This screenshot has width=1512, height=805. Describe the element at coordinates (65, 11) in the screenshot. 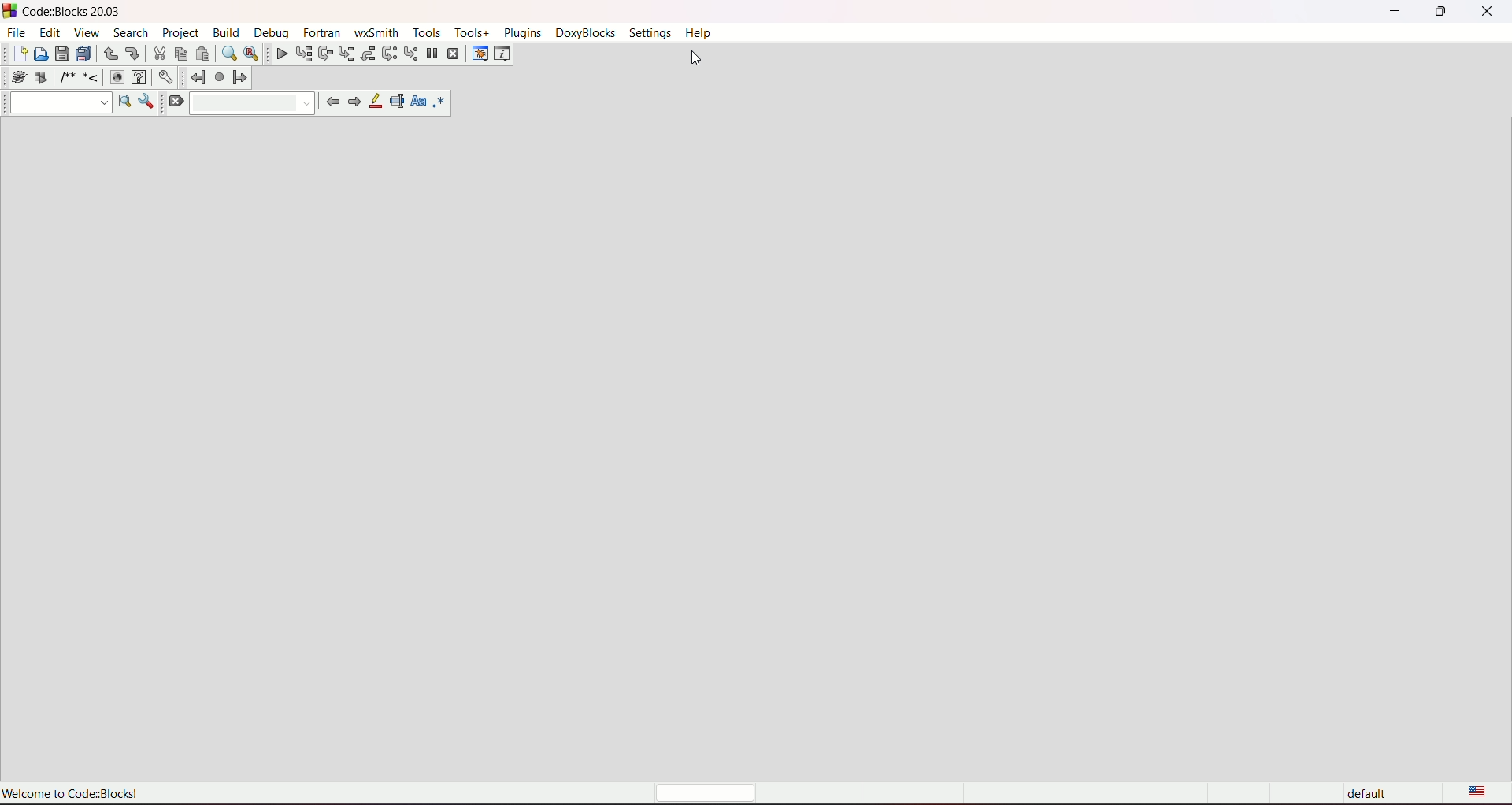

I see `CodezBlocks 20.03` at that location.